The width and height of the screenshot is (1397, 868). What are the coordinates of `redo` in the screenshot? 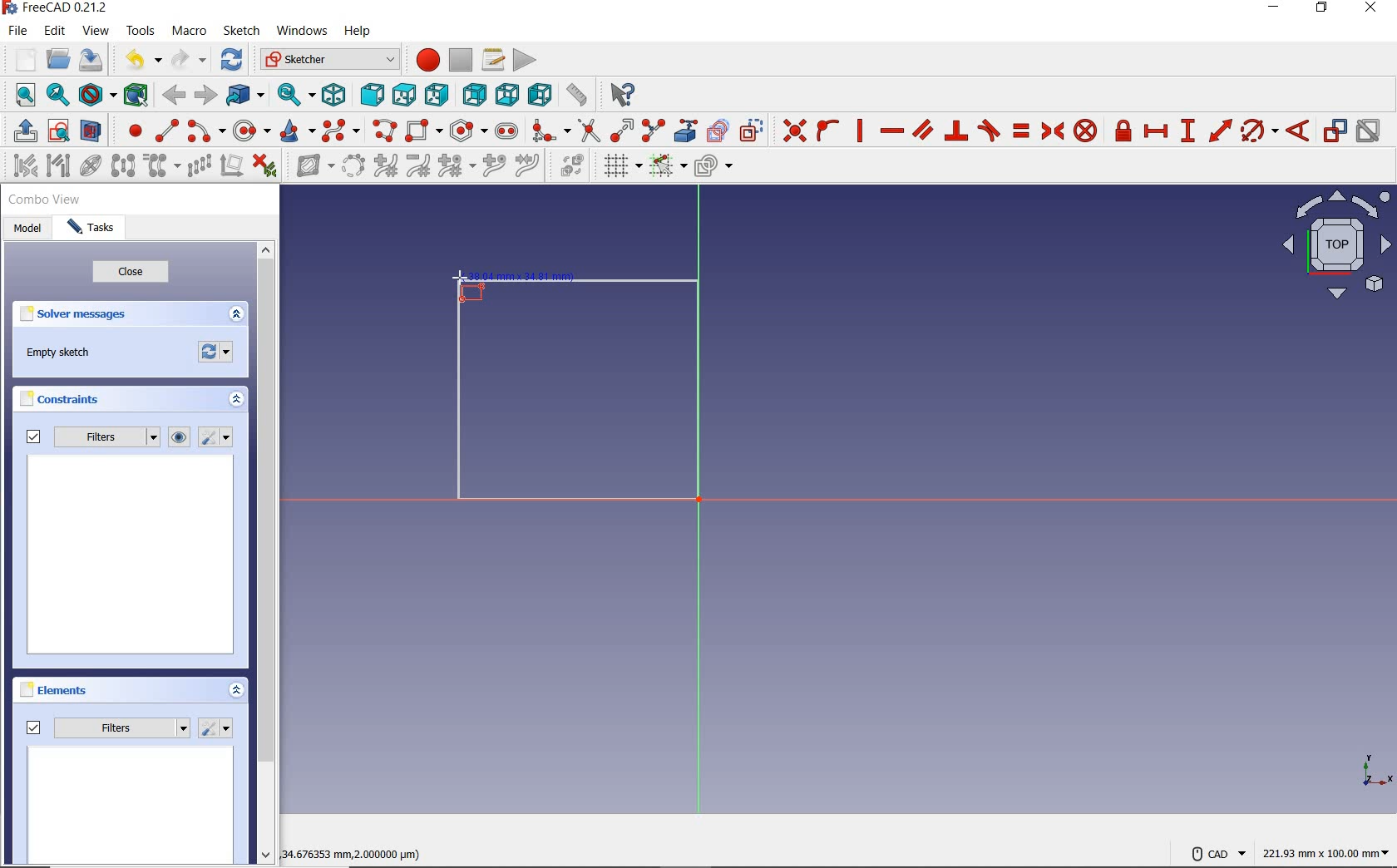 It's located at (189, 60).